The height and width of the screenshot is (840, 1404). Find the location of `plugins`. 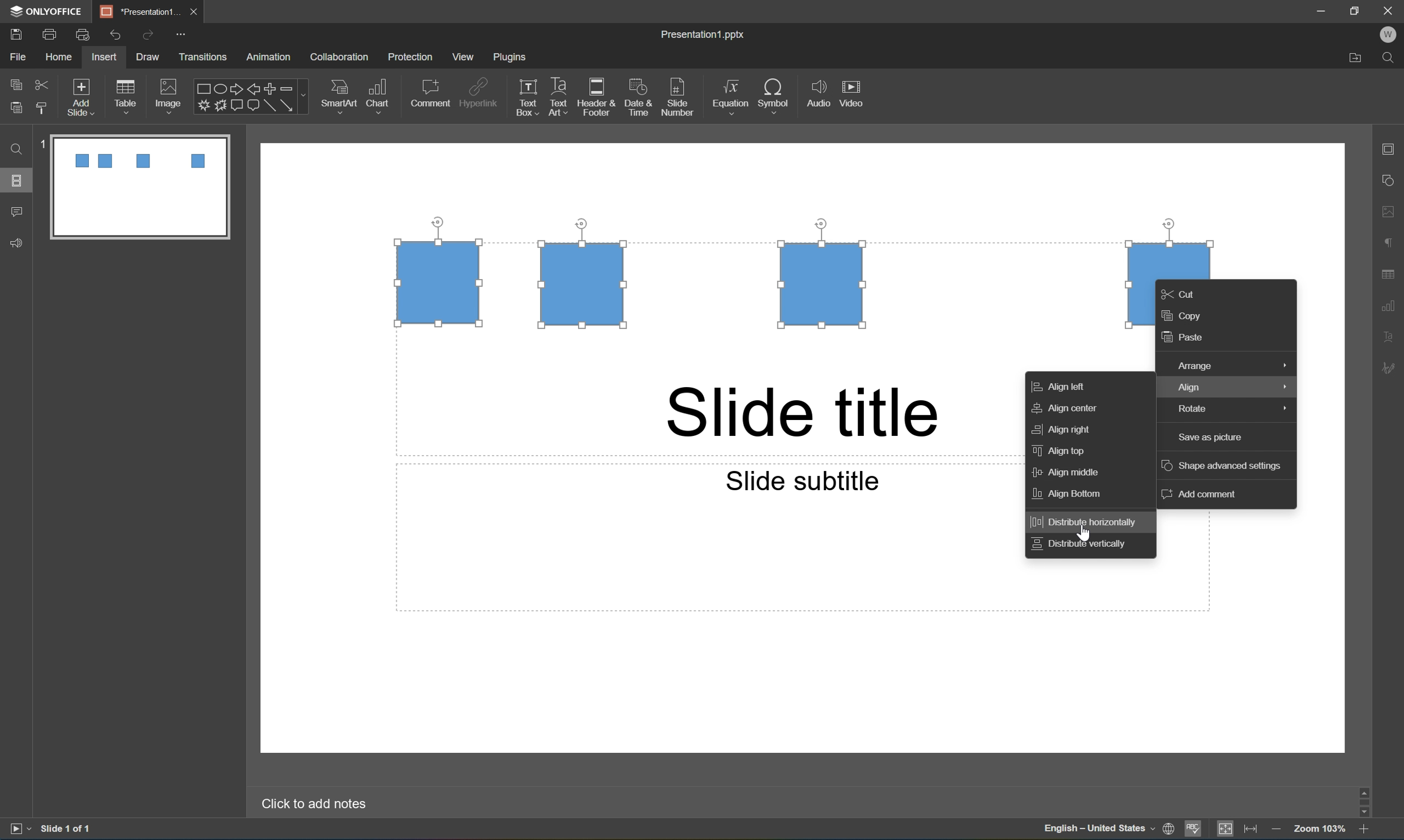

plugins is located at coordinates (512, 58).